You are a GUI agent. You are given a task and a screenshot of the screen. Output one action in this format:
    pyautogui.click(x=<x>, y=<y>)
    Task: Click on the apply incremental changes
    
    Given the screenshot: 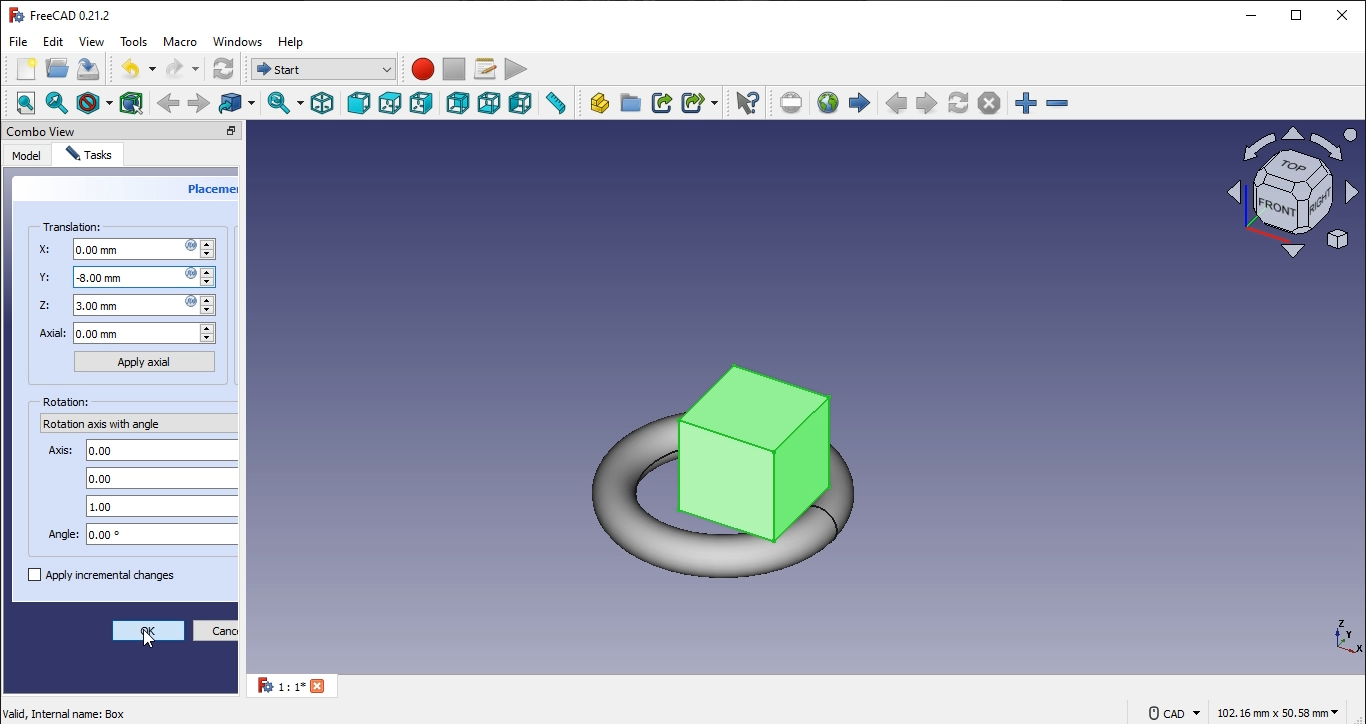 What is the action you would take?
    pyautogui.click(x=102, y=576)
    